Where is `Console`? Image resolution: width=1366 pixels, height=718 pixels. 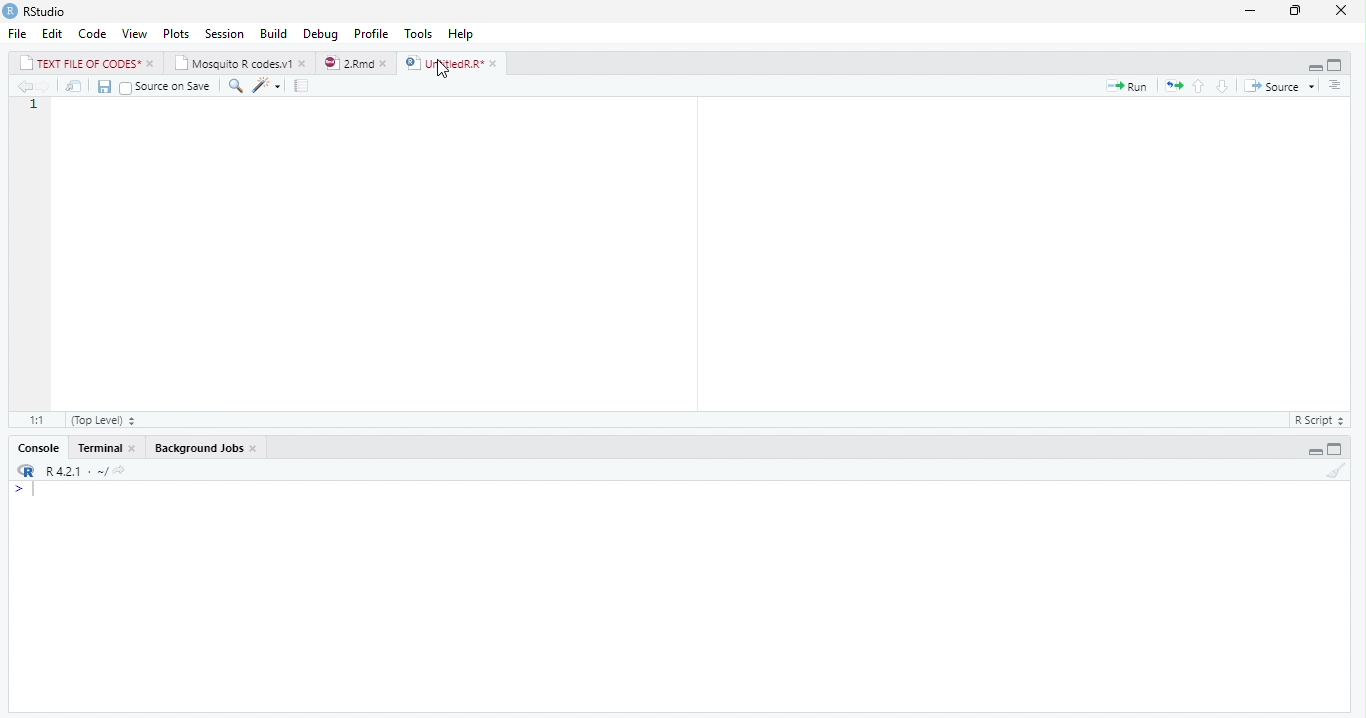
Console is located at coordinates (39, 447).